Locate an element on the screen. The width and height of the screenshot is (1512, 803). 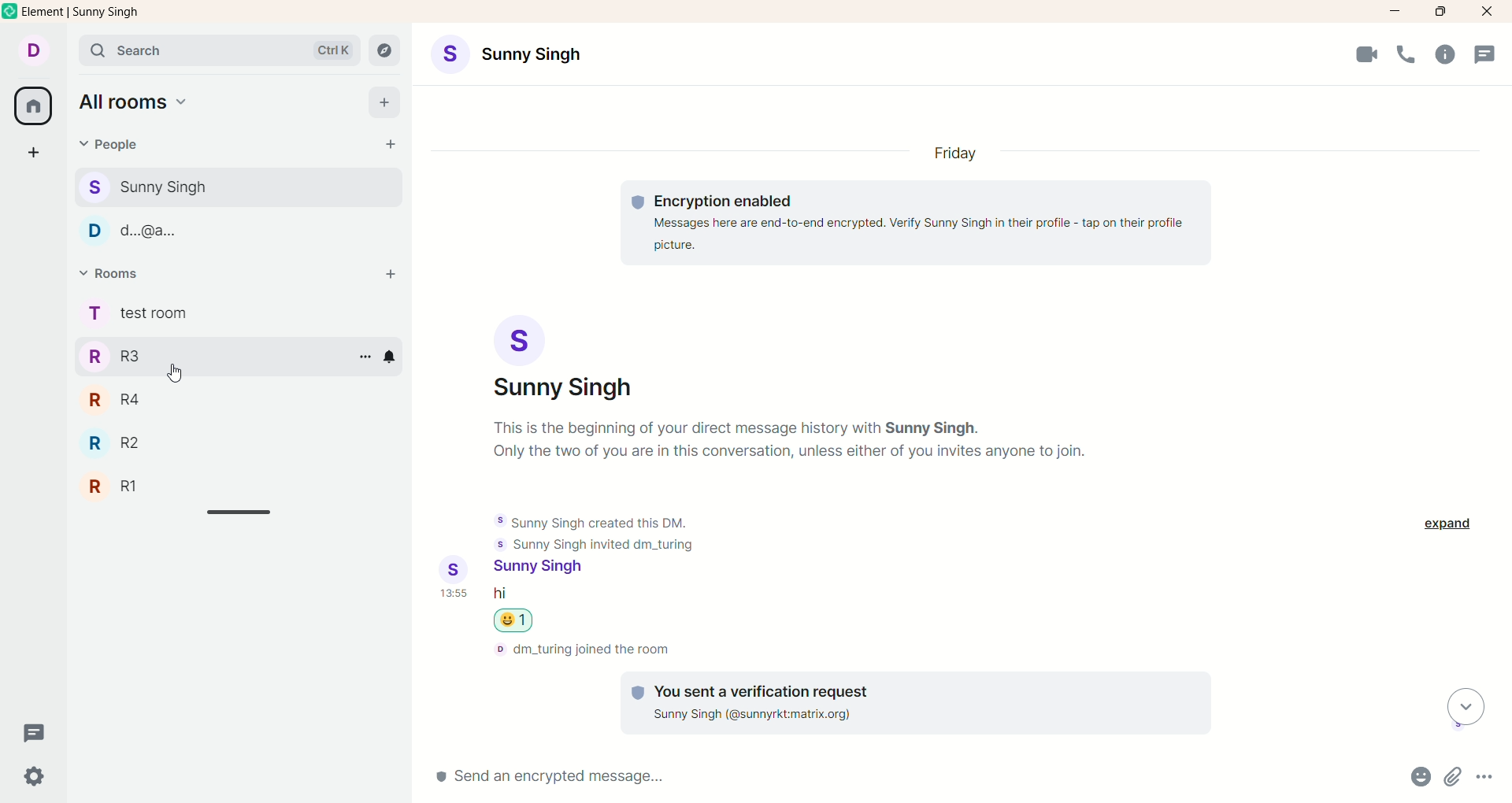
text is located at coordinates (580, 650).